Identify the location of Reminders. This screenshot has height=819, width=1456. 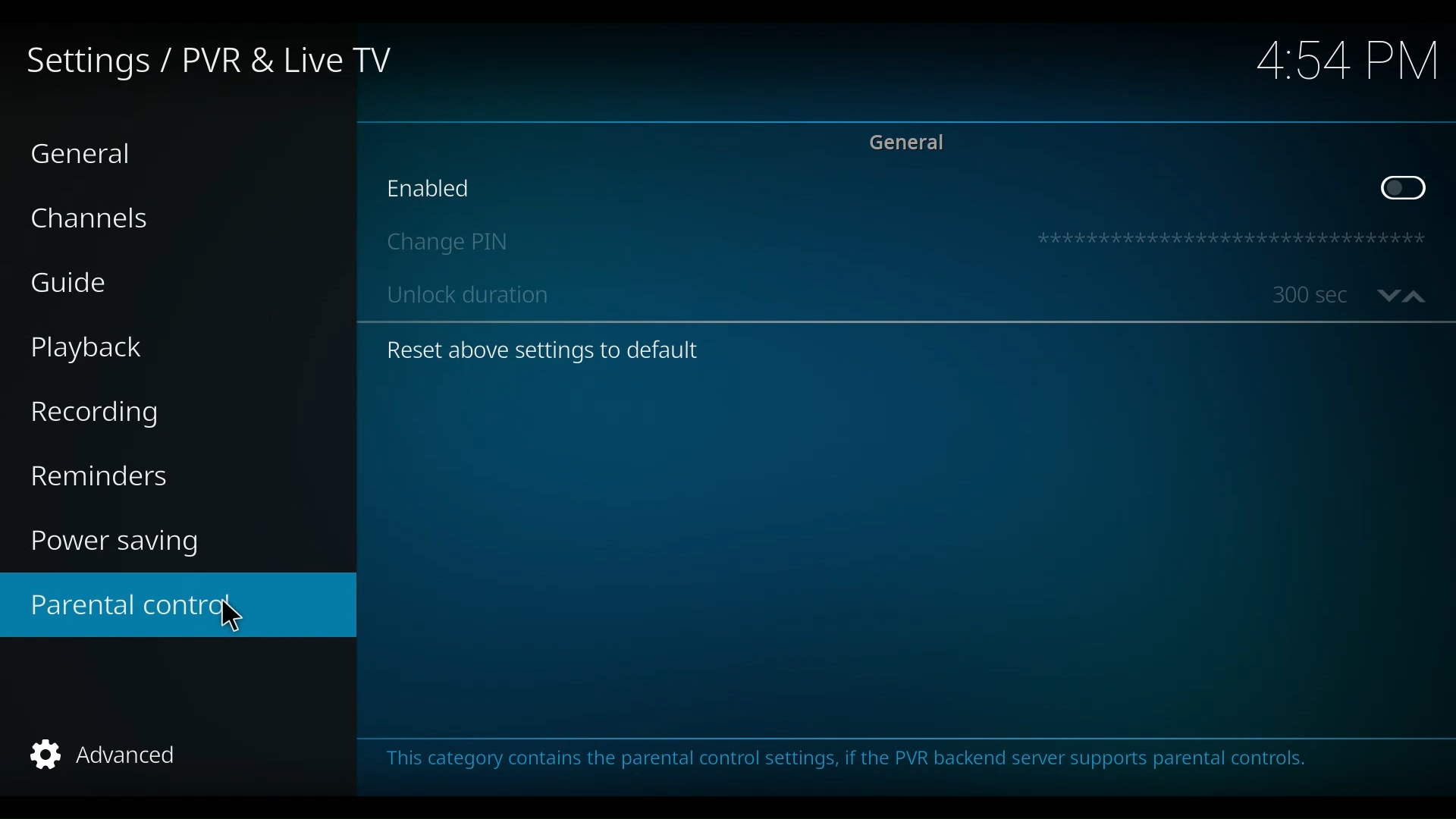
(102, 476).